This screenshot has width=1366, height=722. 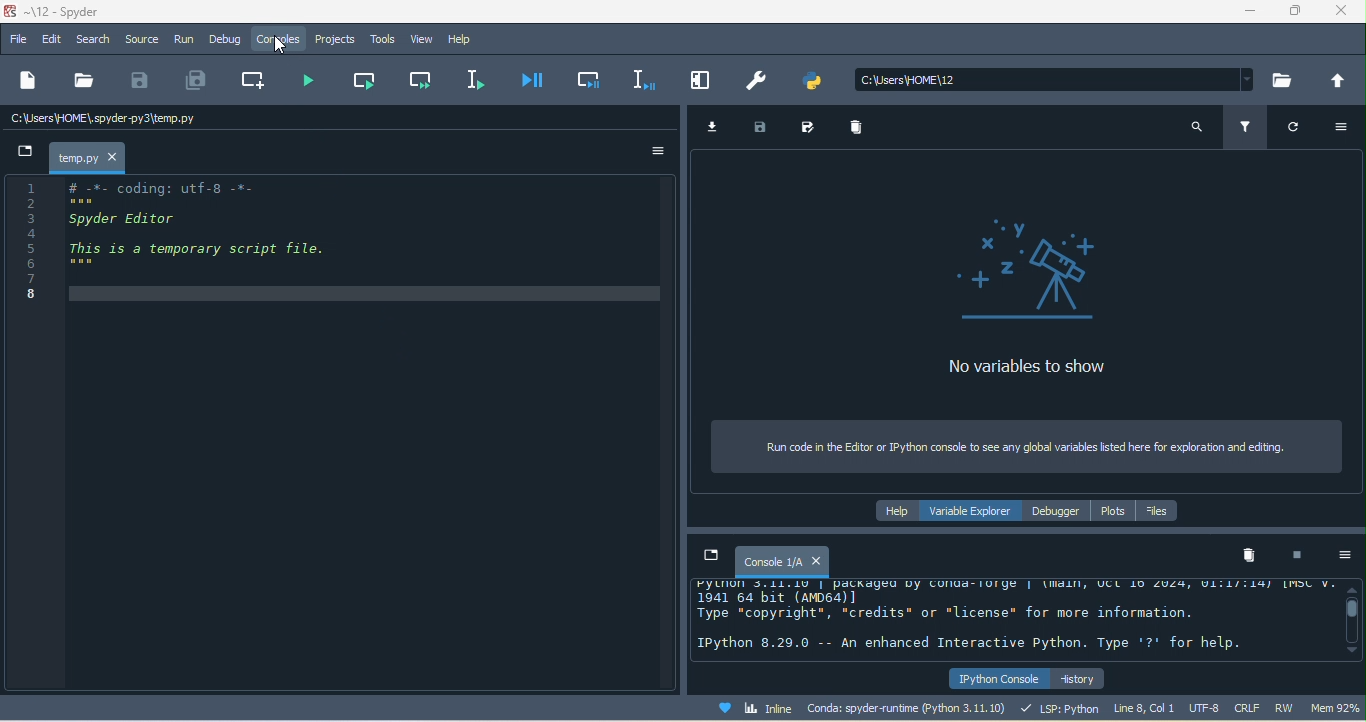 What do you see at coordinates (706, 81) in the screenshot?
I see `maximize current pane` at bounding box center [706, 81].